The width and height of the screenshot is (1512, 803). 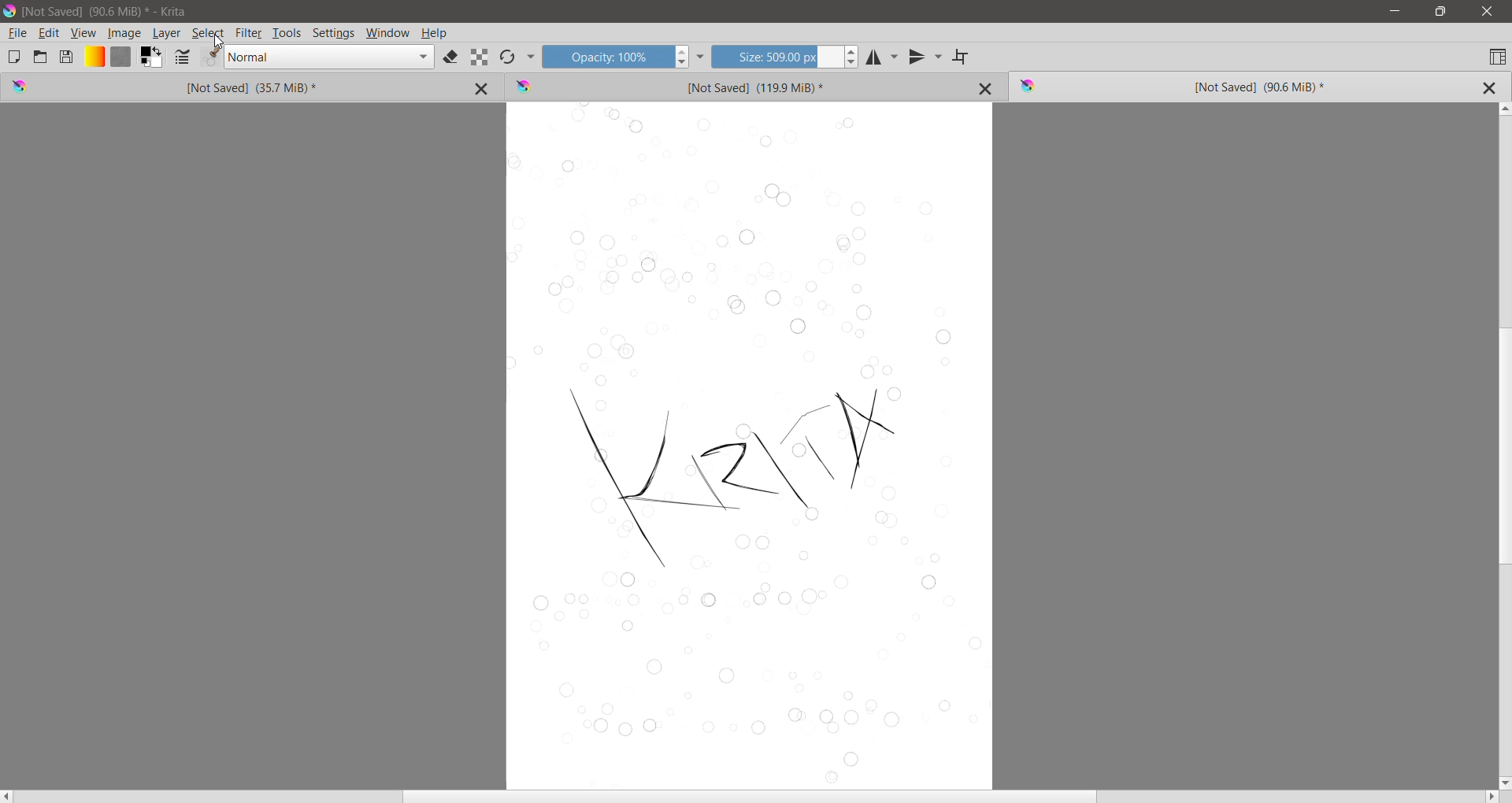 What do you see at coordinates (388, 34) in the screenshot?
I see `Window` at bounding box center [388, 34].